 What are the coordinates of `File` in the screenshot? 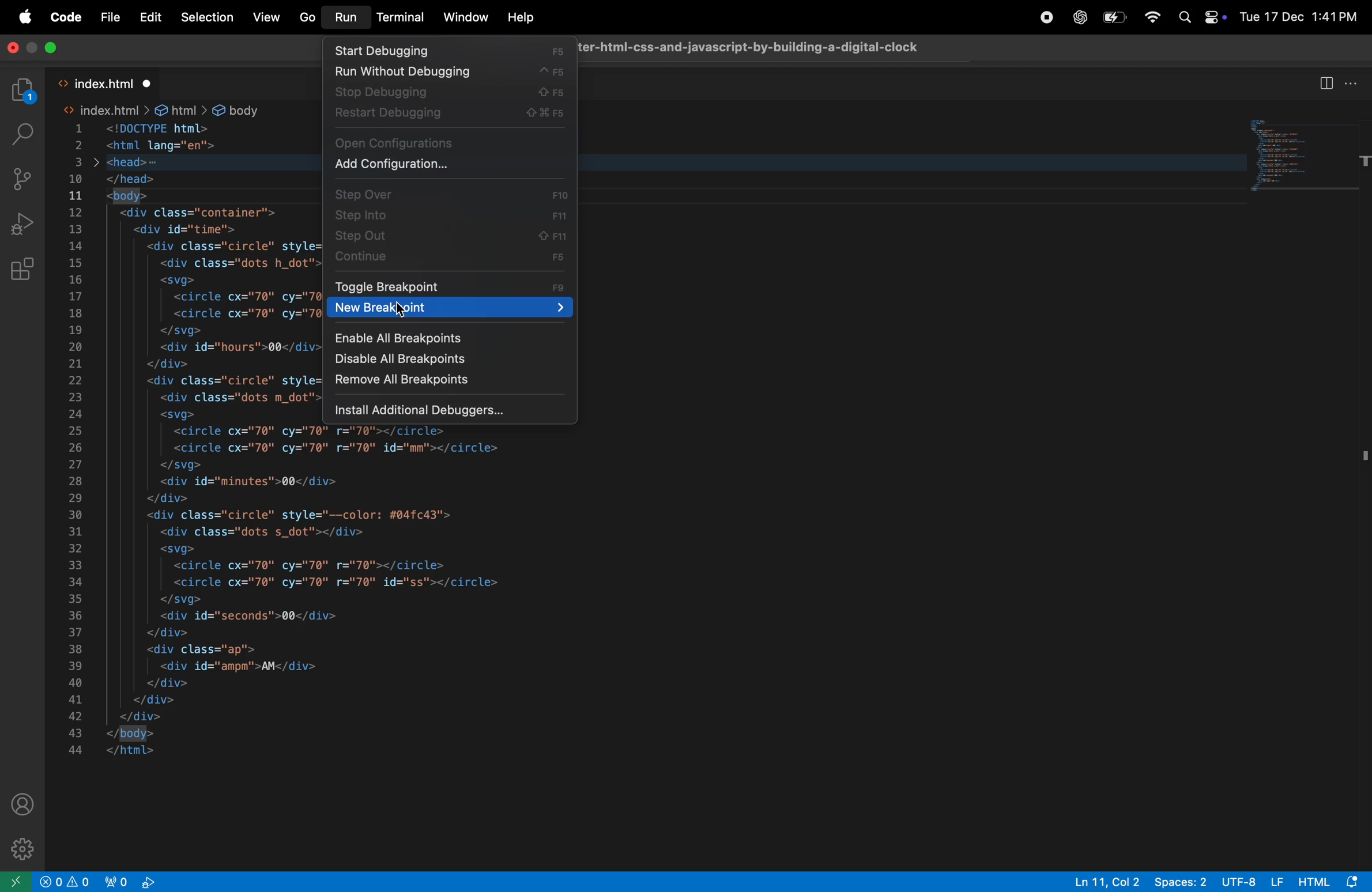 It's located at (110, 18).